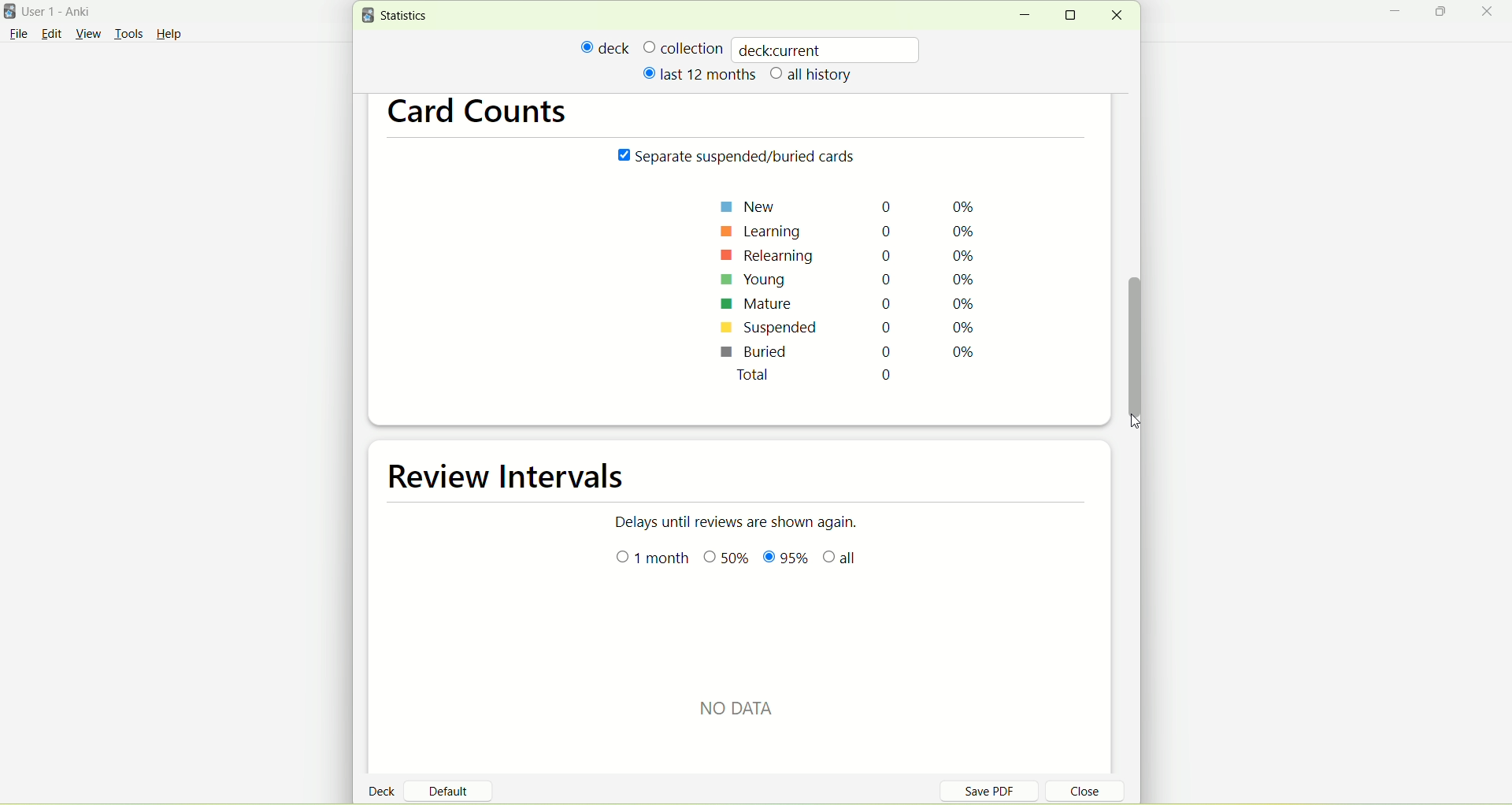 The width and height of the screenshot is (1512, 805). What do you see at coordinates (1443, 14) in the screenshot?
I see `maximize` at bounding box center [1443, 14].